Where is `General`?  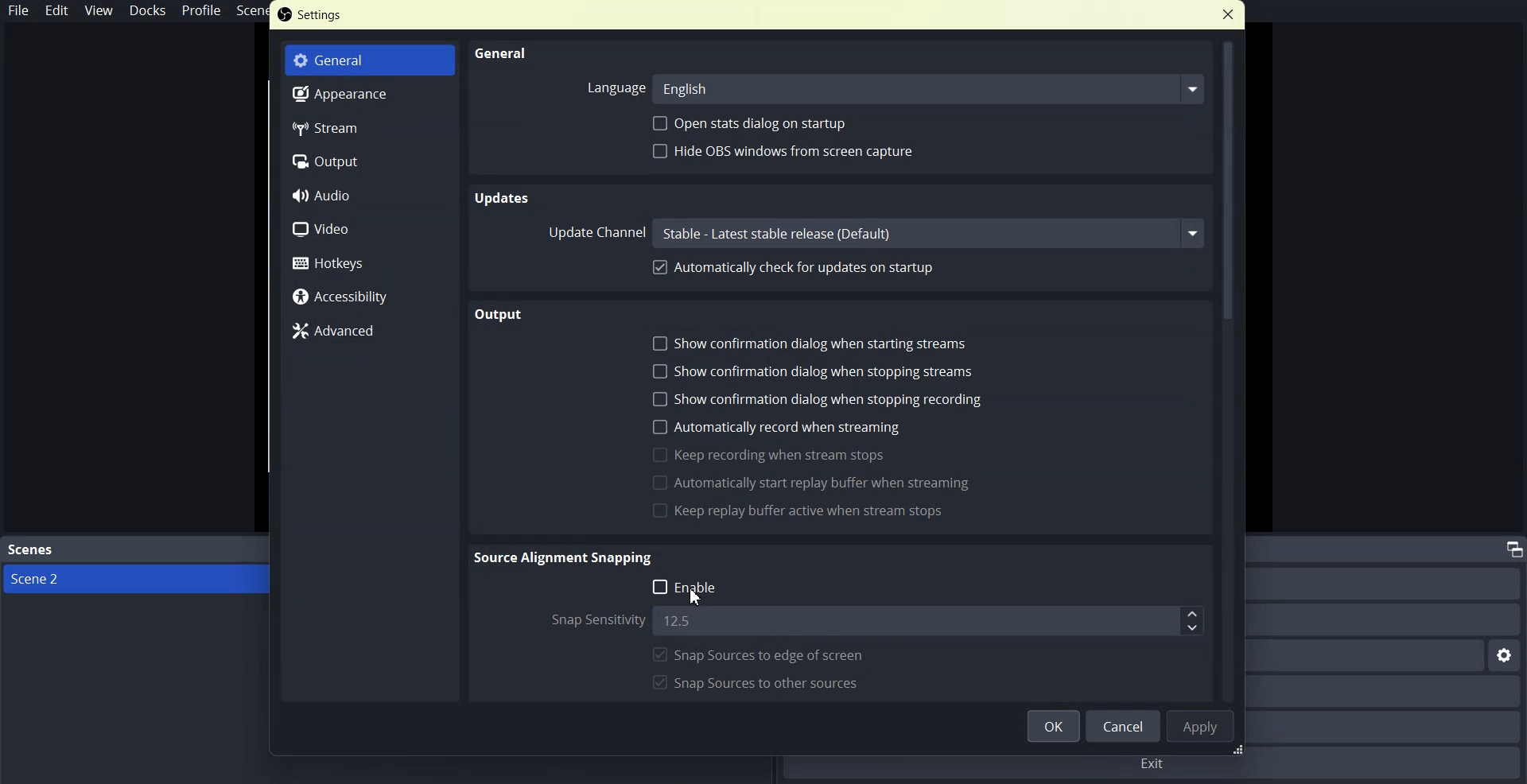
General is located at coordinates (503, 52).